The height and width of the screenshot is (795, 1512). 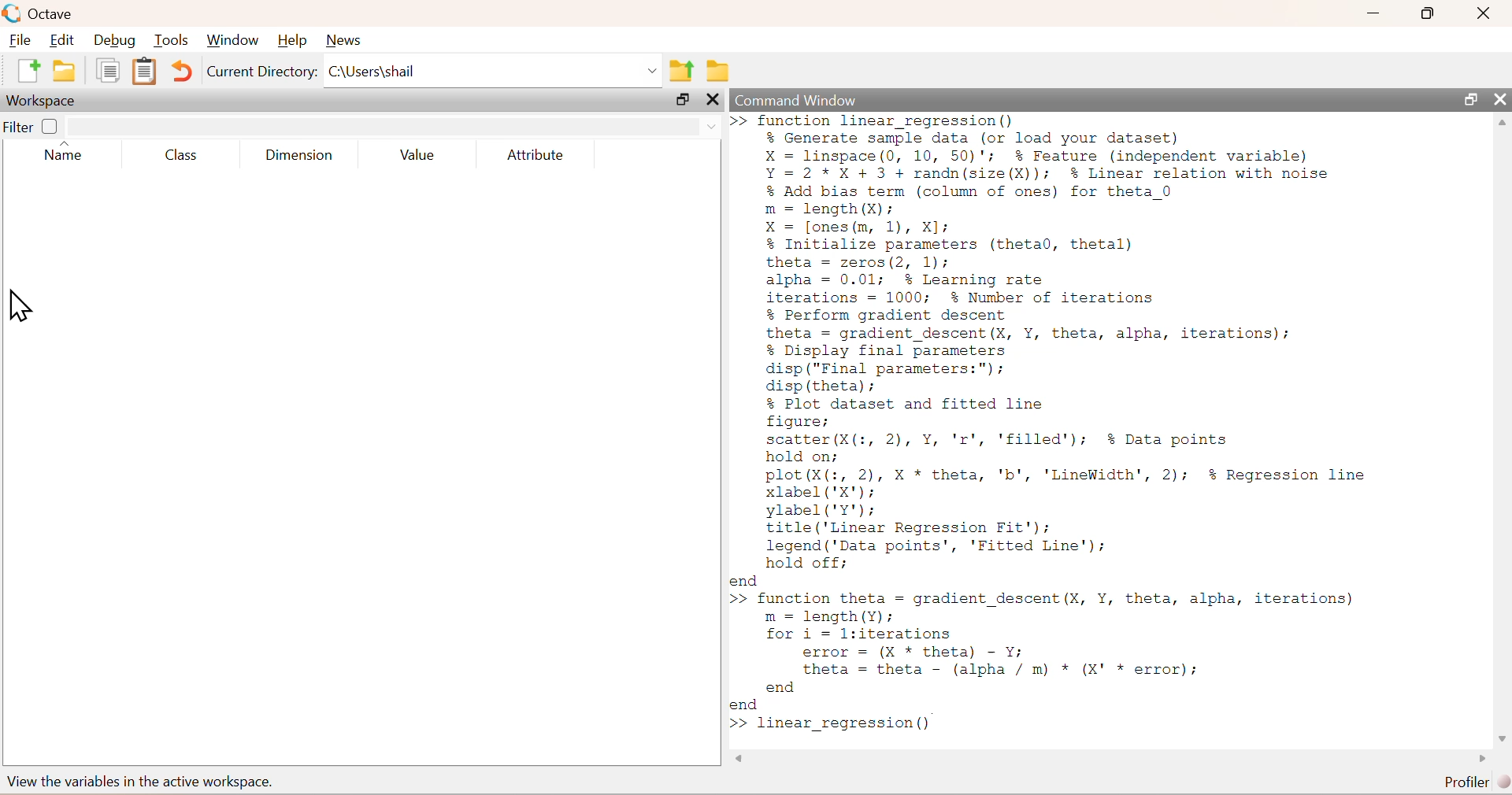 What do you see at coordinates (536, 154) in the screenshot?
I see `Attribute` at bounding box center [536, 154].